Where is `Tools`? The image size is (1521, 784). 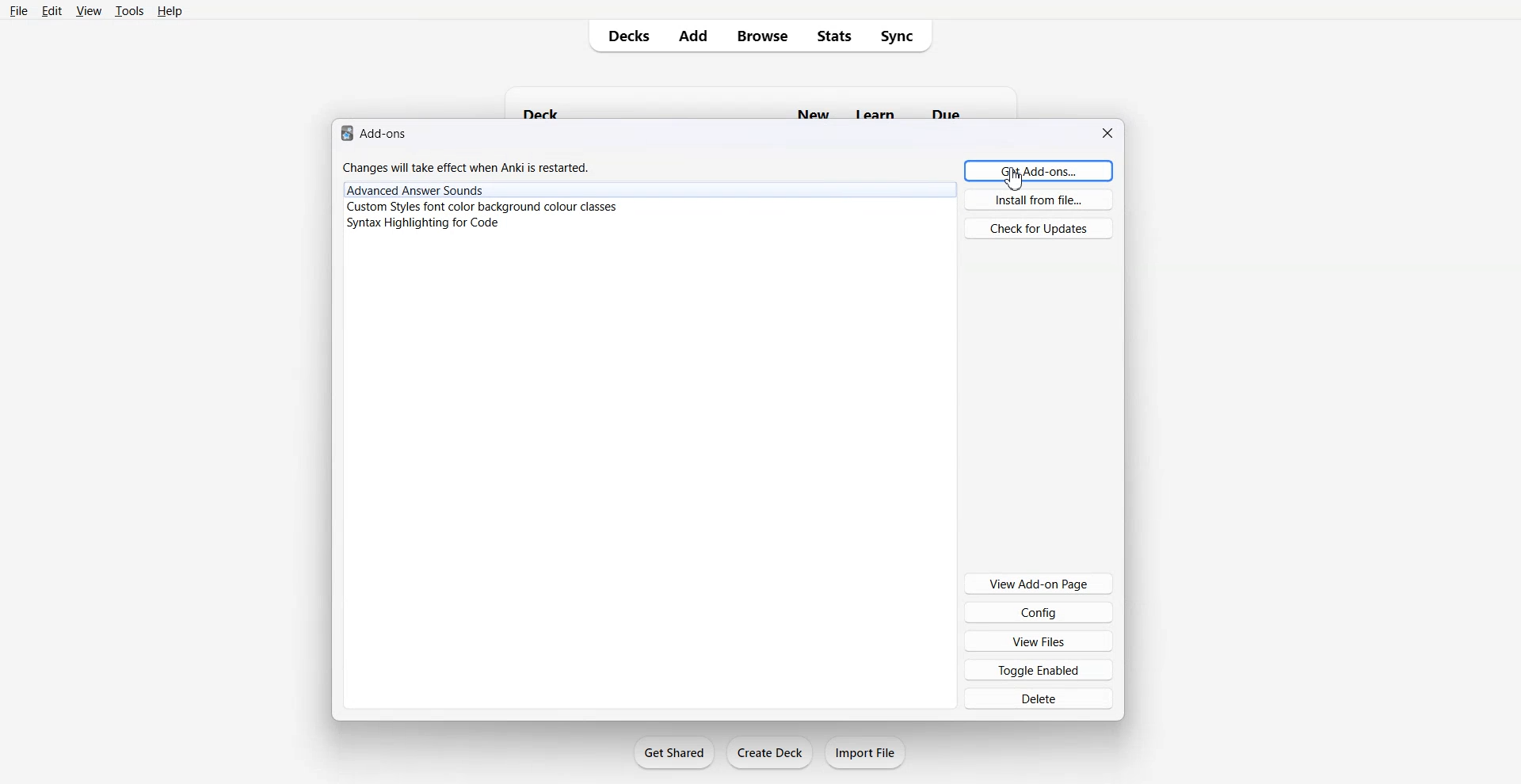 Tools is located at coordinates (129, 10).